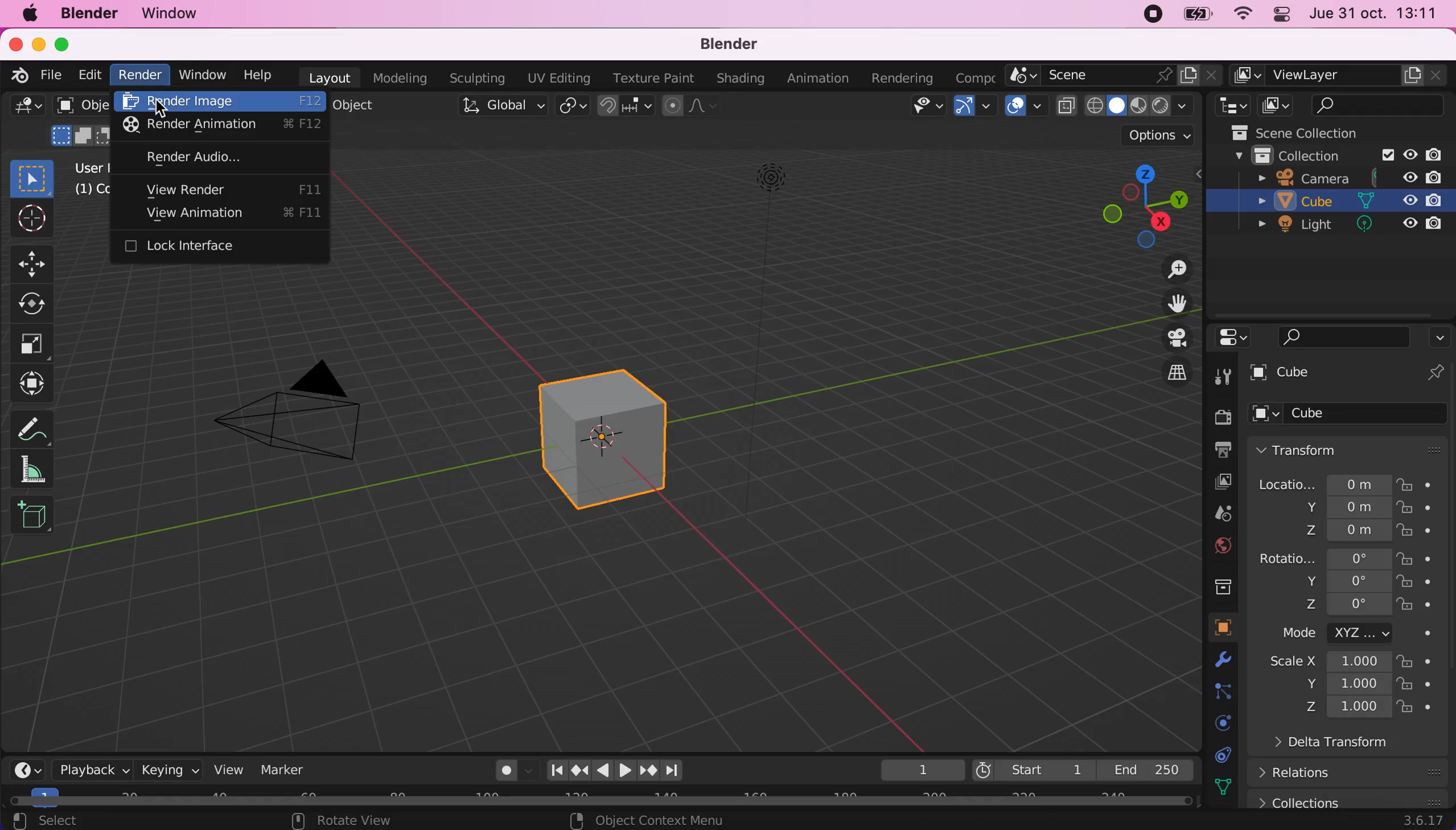  What do you see at coordinates (1417, 511) in the screenshot?
I see `lock` at bounding box center [1417, 511].